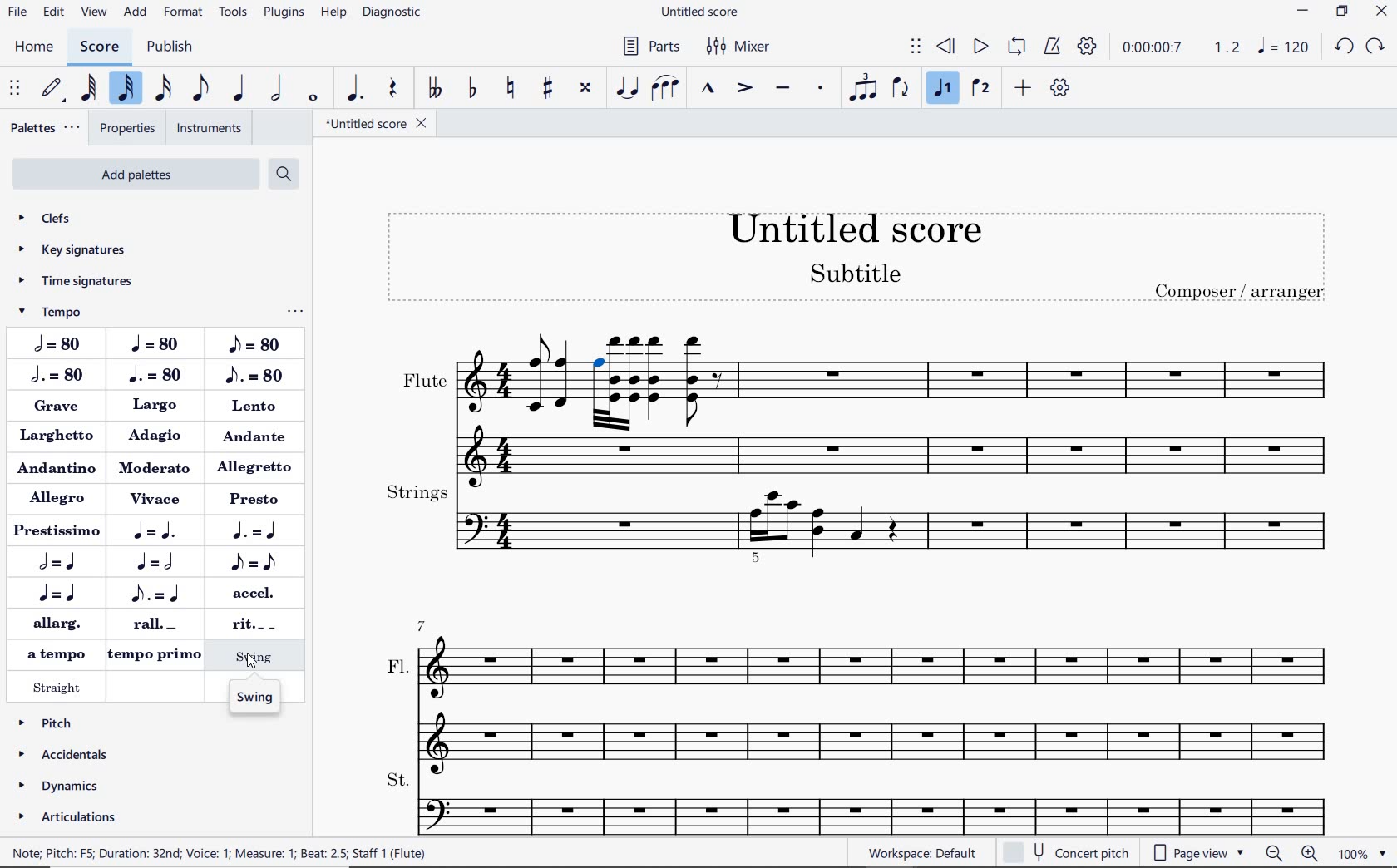 This screenshot has height=868, width=1397. Describe the element at coordinates (979, 86) in the screenshot. I see `VOICE 2` at that location.